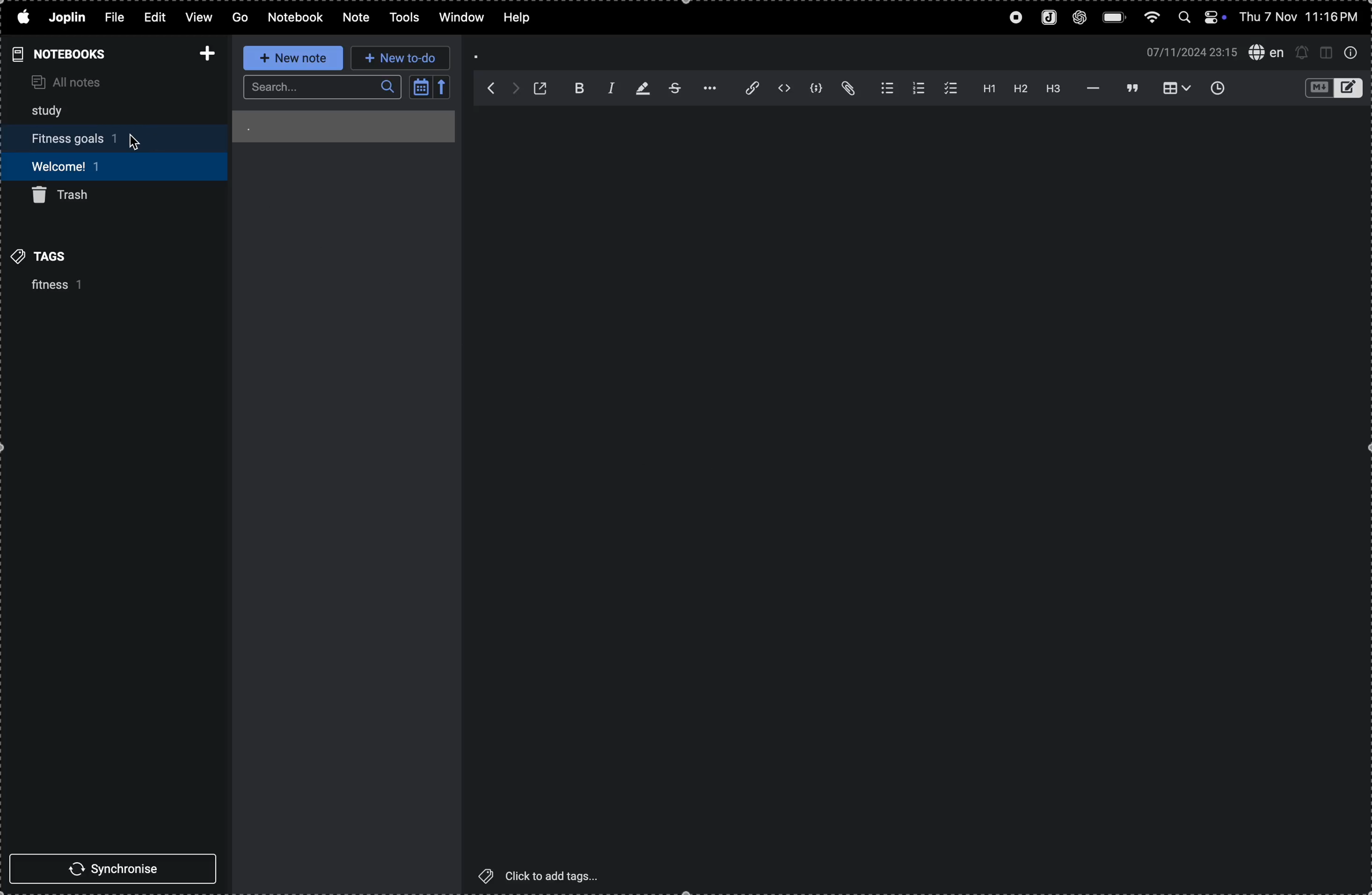 The height and width of the screenshot is (895, 1372). I want to click on insert table, so click(1178, 88).